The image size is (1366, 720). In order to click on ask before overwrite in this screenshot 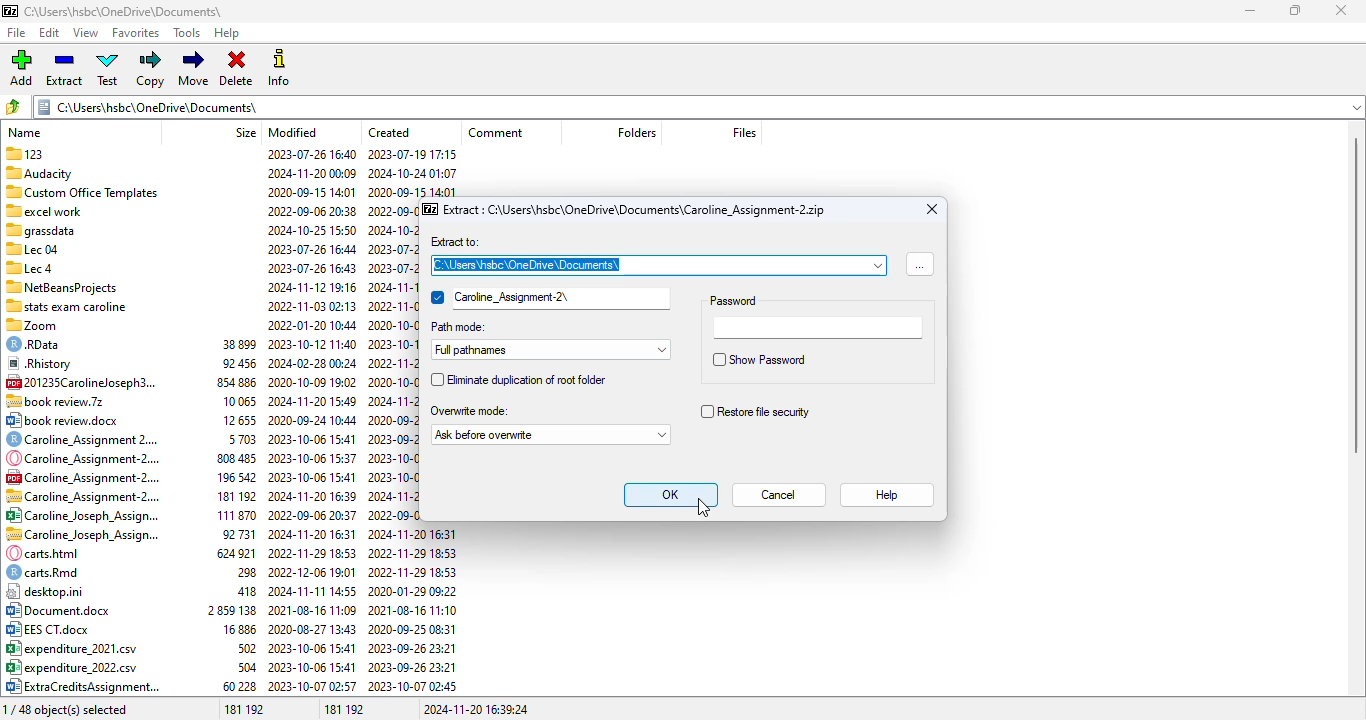, I will do `click(550, 434)`.